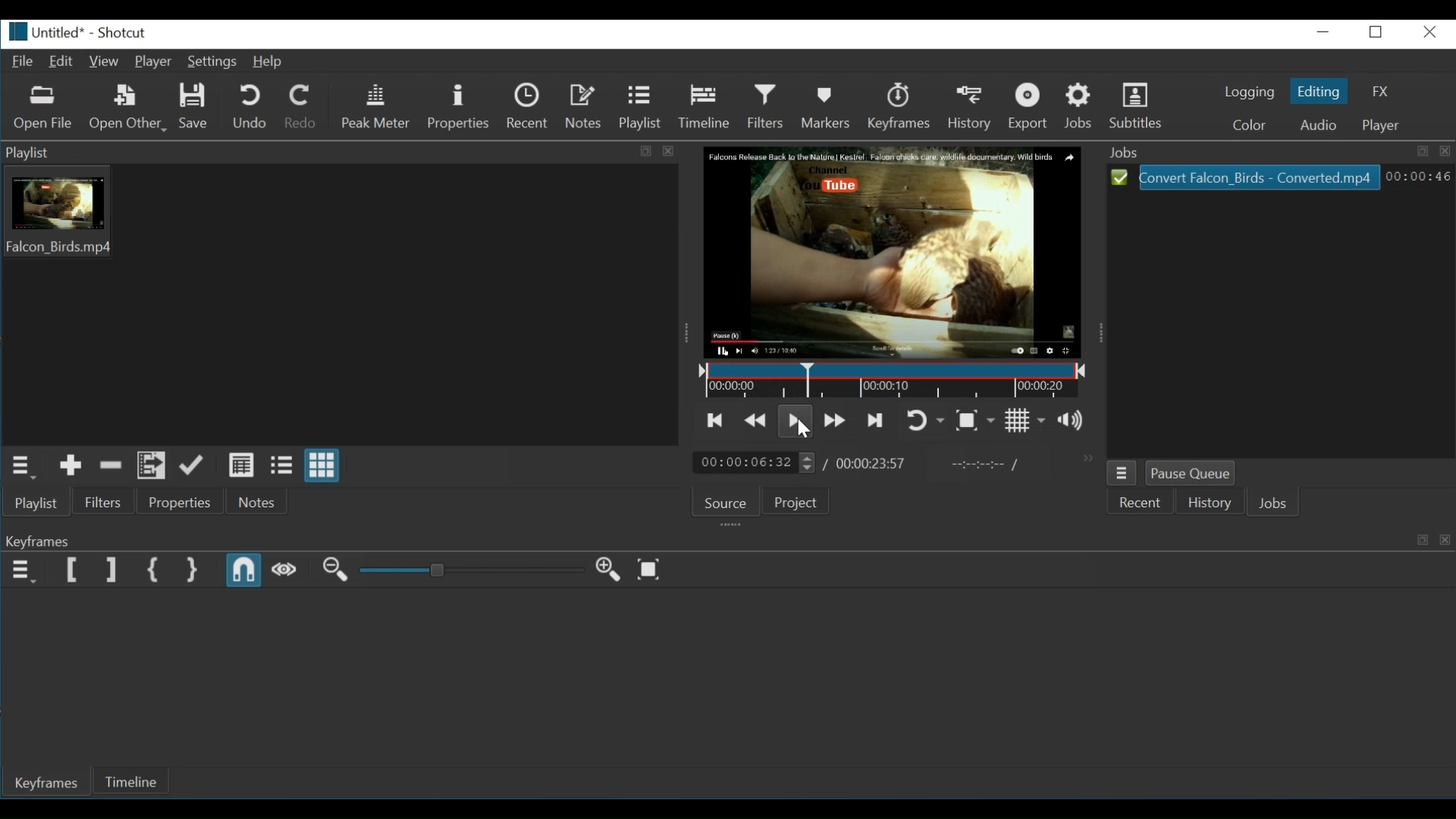  What do you see at coordinates (154, 61) in the screenshot?
I see `Player` at bounding box center [154, 61].